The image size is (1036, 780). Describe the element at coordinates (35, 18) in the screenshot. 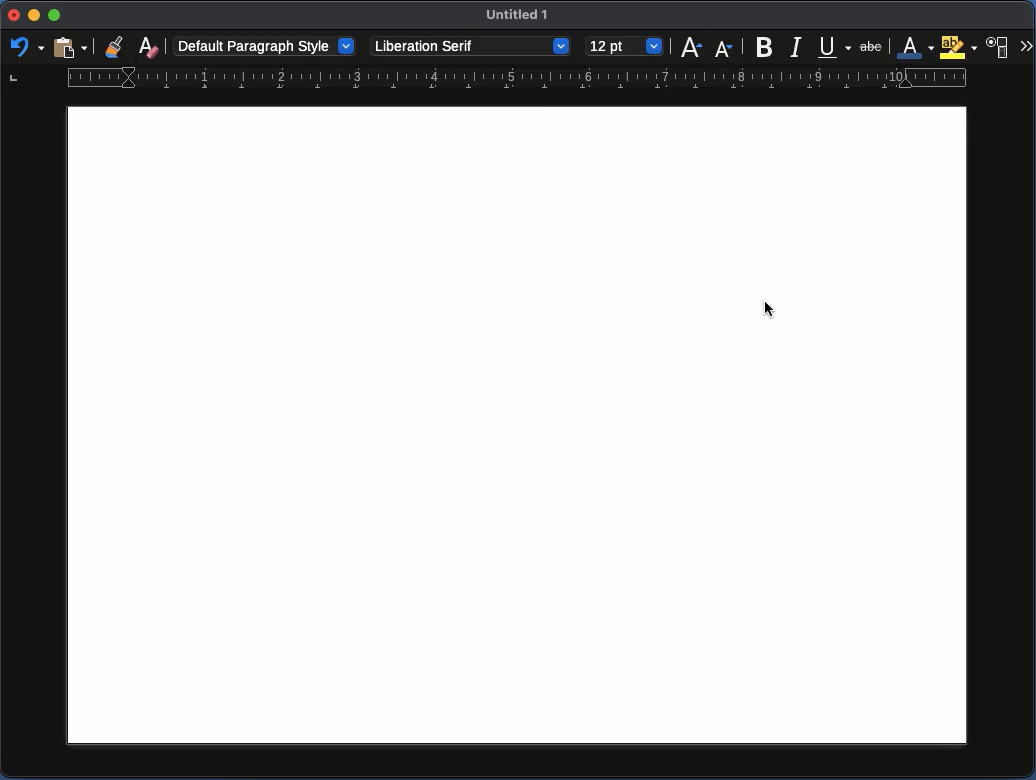

I see `Minimize` at that location.